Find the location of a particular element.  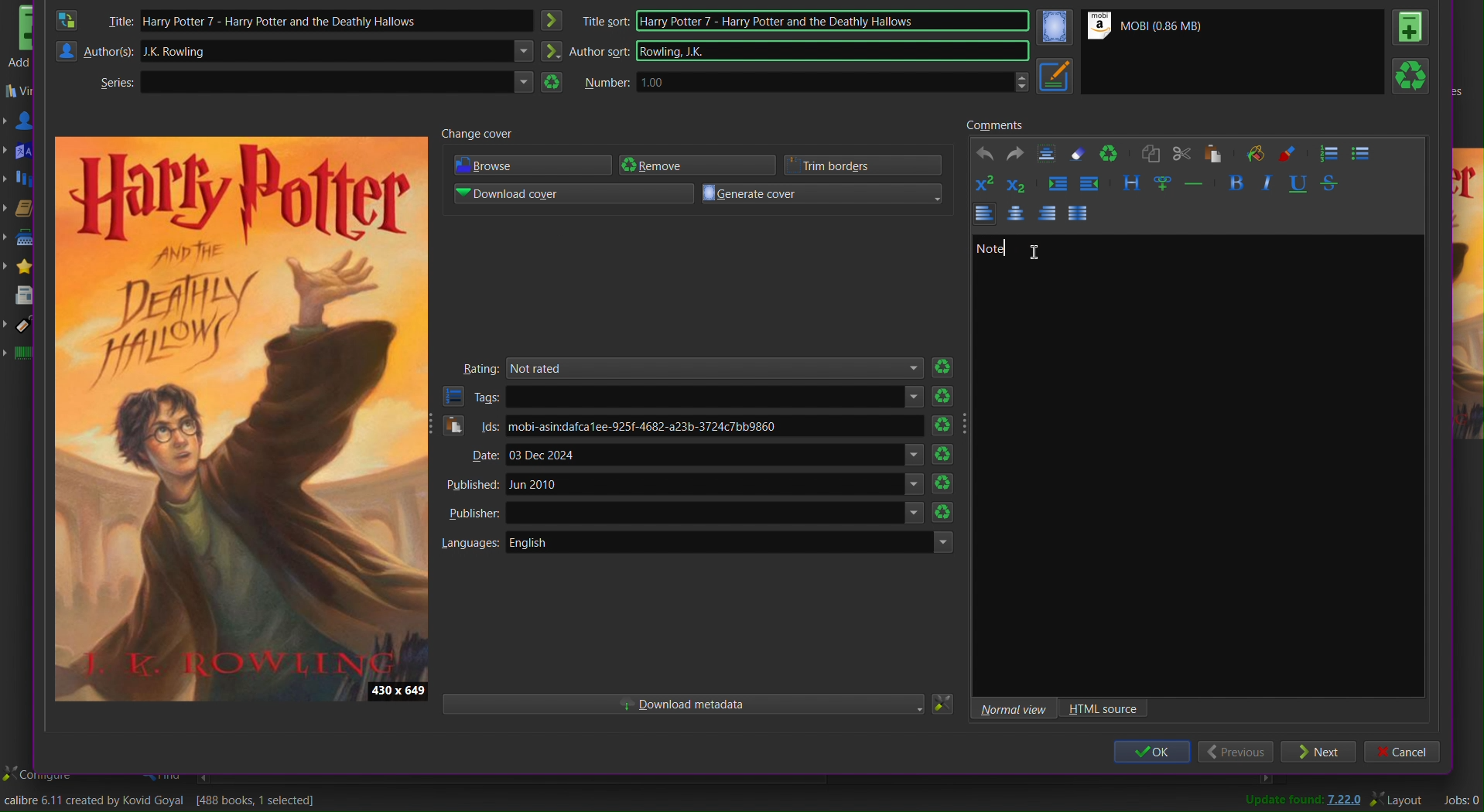

Generate cover is located at coordinates (823, 193).